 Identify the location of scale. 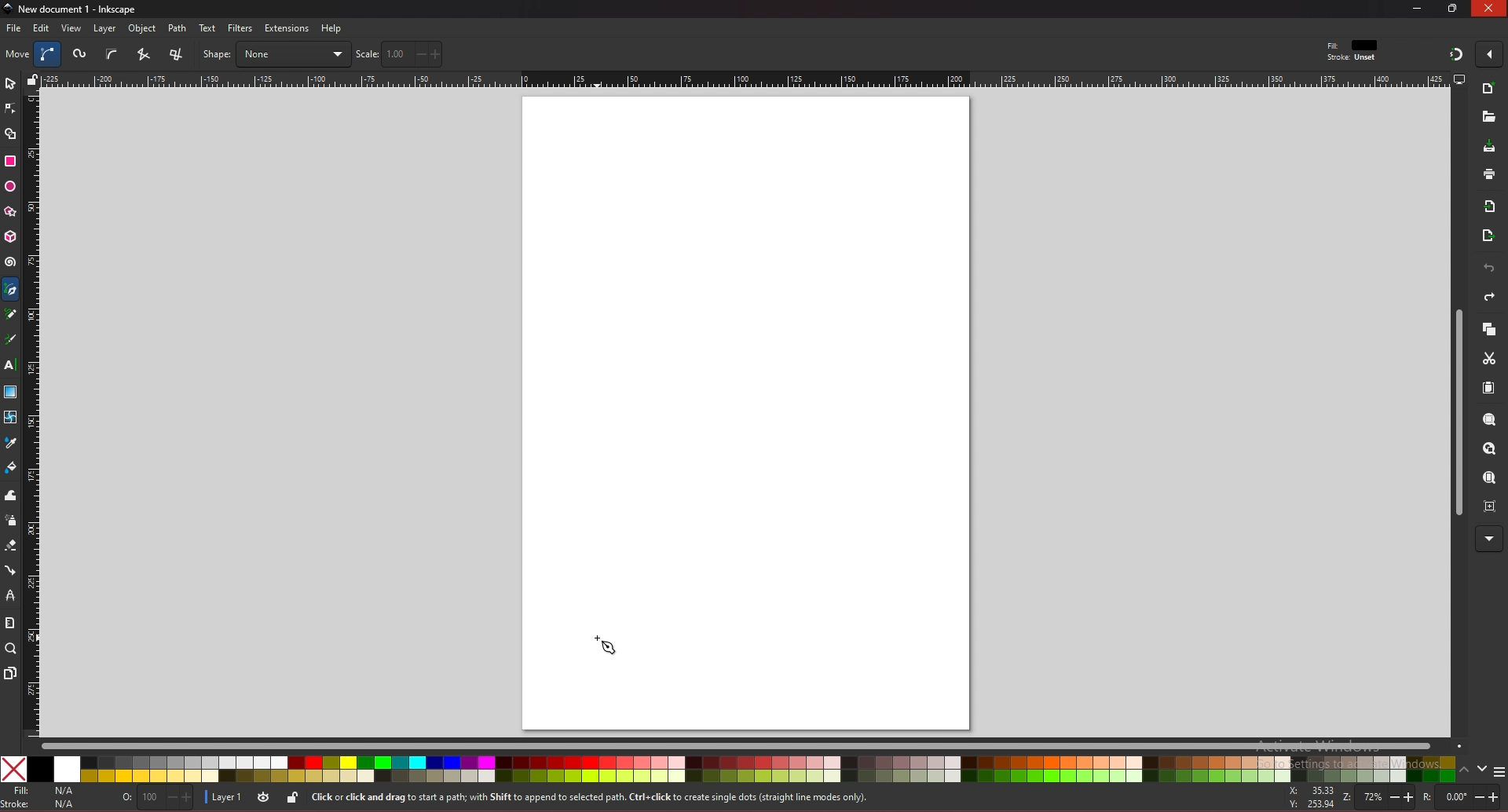
(399, 53).